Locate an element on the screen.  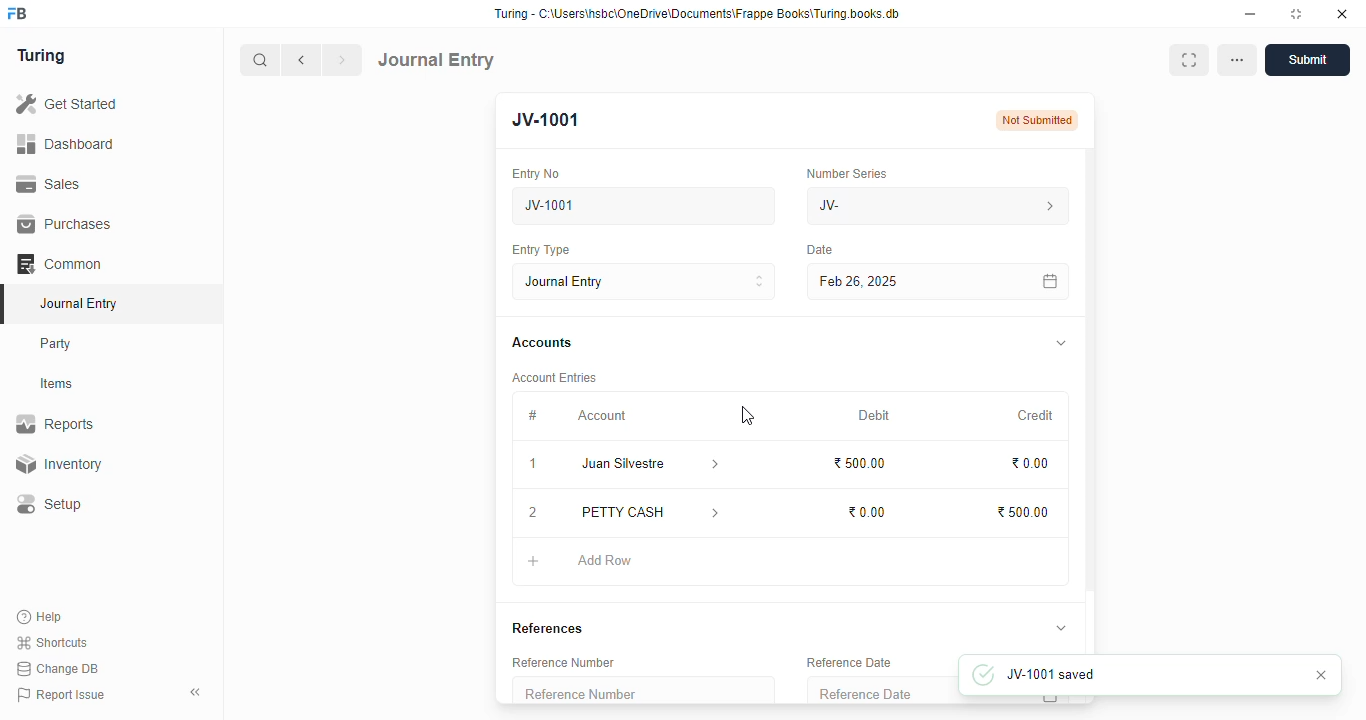
accounts is located at coordinates (542, 343).